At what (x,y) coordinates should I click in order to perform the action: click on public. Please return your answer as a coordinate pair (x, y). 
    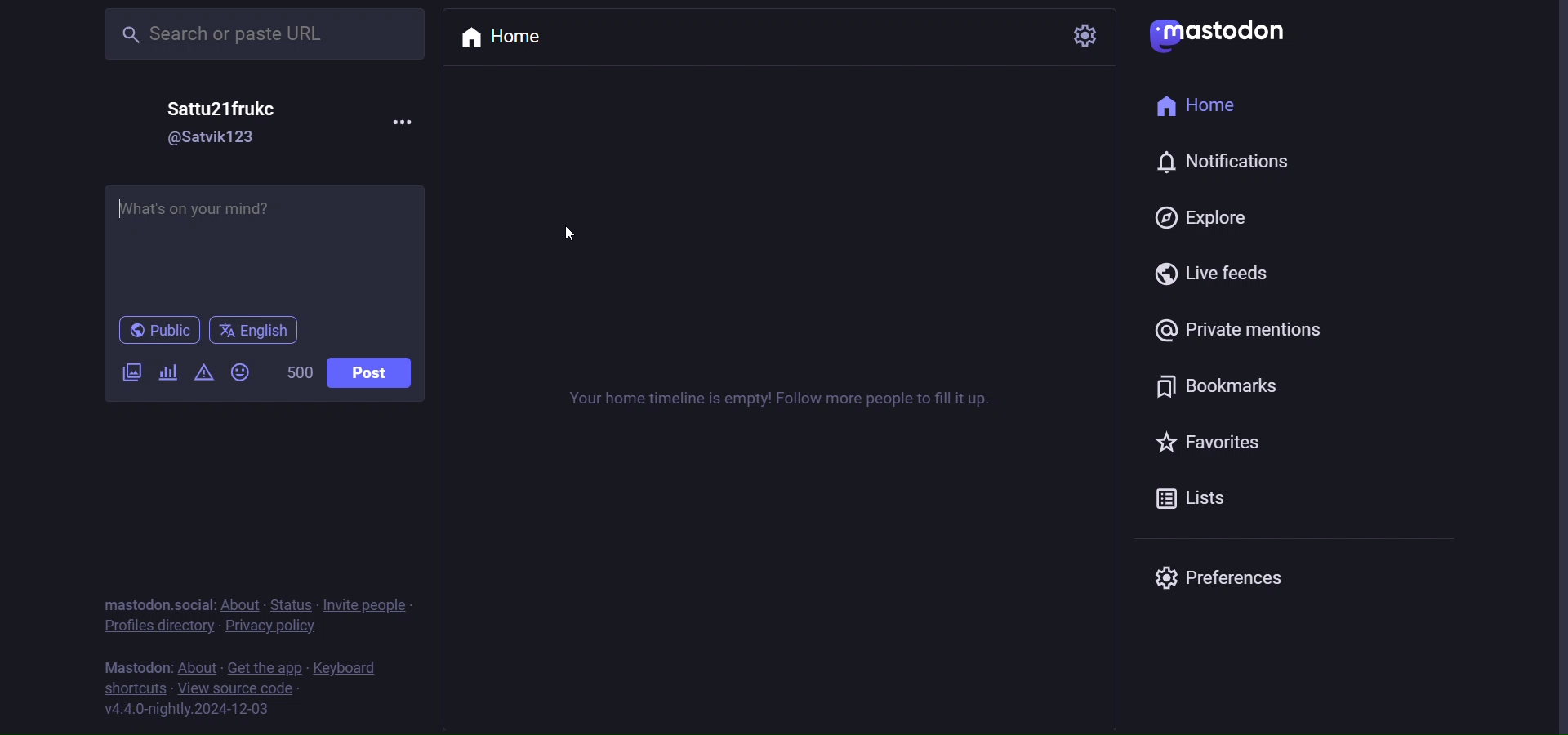
    Looking at the image, I should click on (158, 330).